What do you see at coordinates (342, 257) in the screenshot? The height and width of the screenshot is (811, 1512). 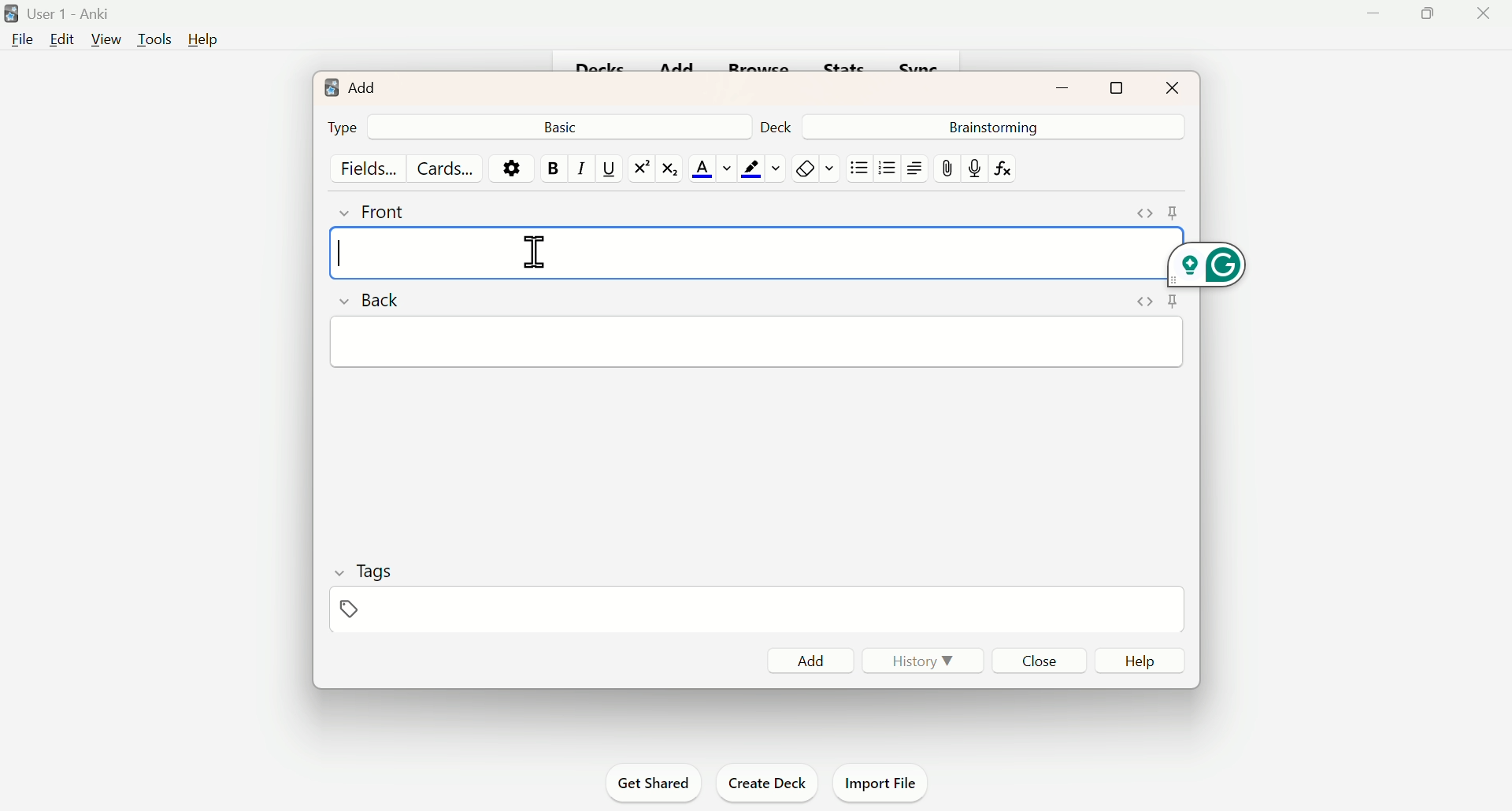 I see `Text cursor` at bounding box center [342, 257].